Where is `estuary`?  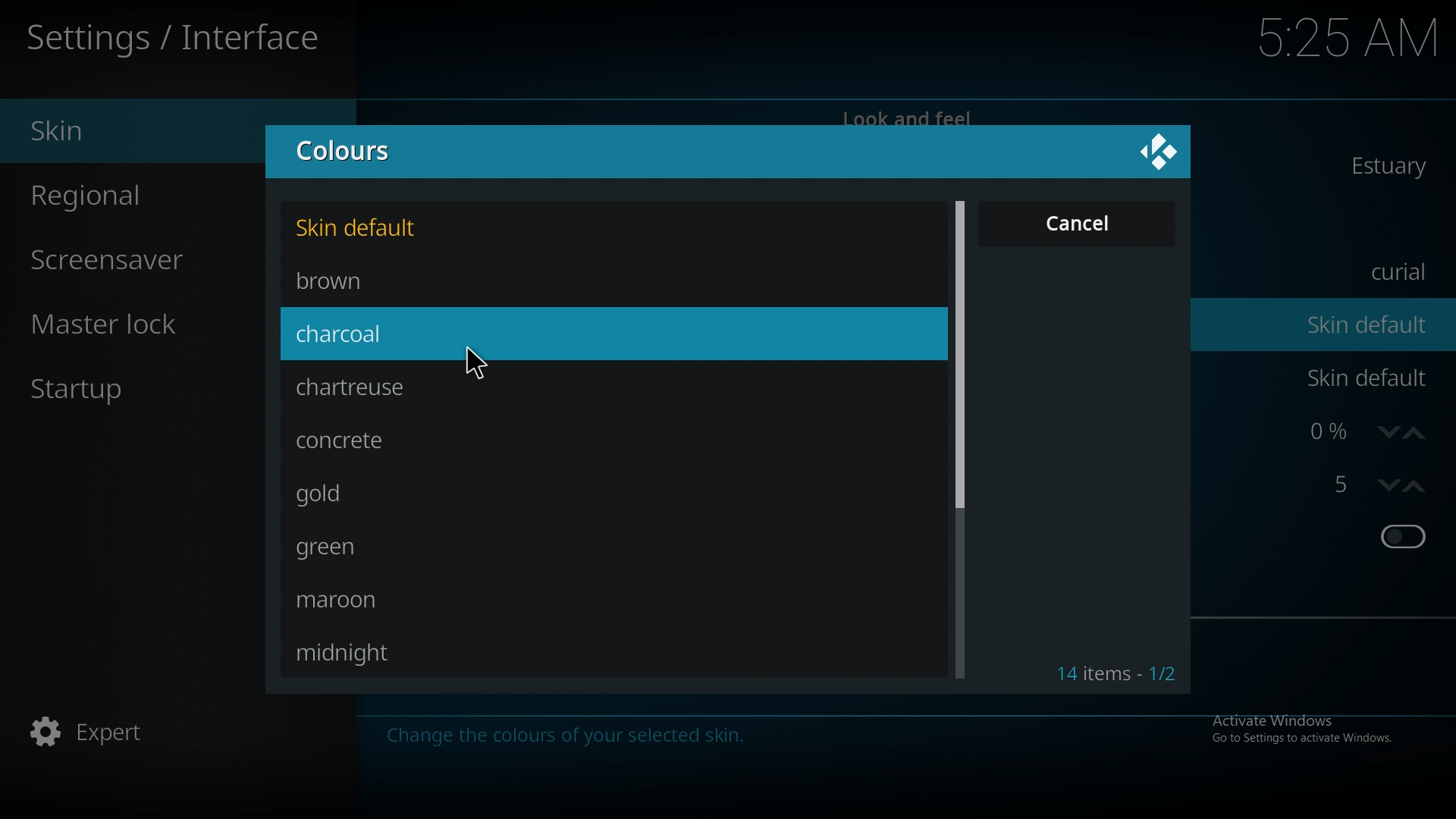 estuary is located at coordinates (1389, 165).